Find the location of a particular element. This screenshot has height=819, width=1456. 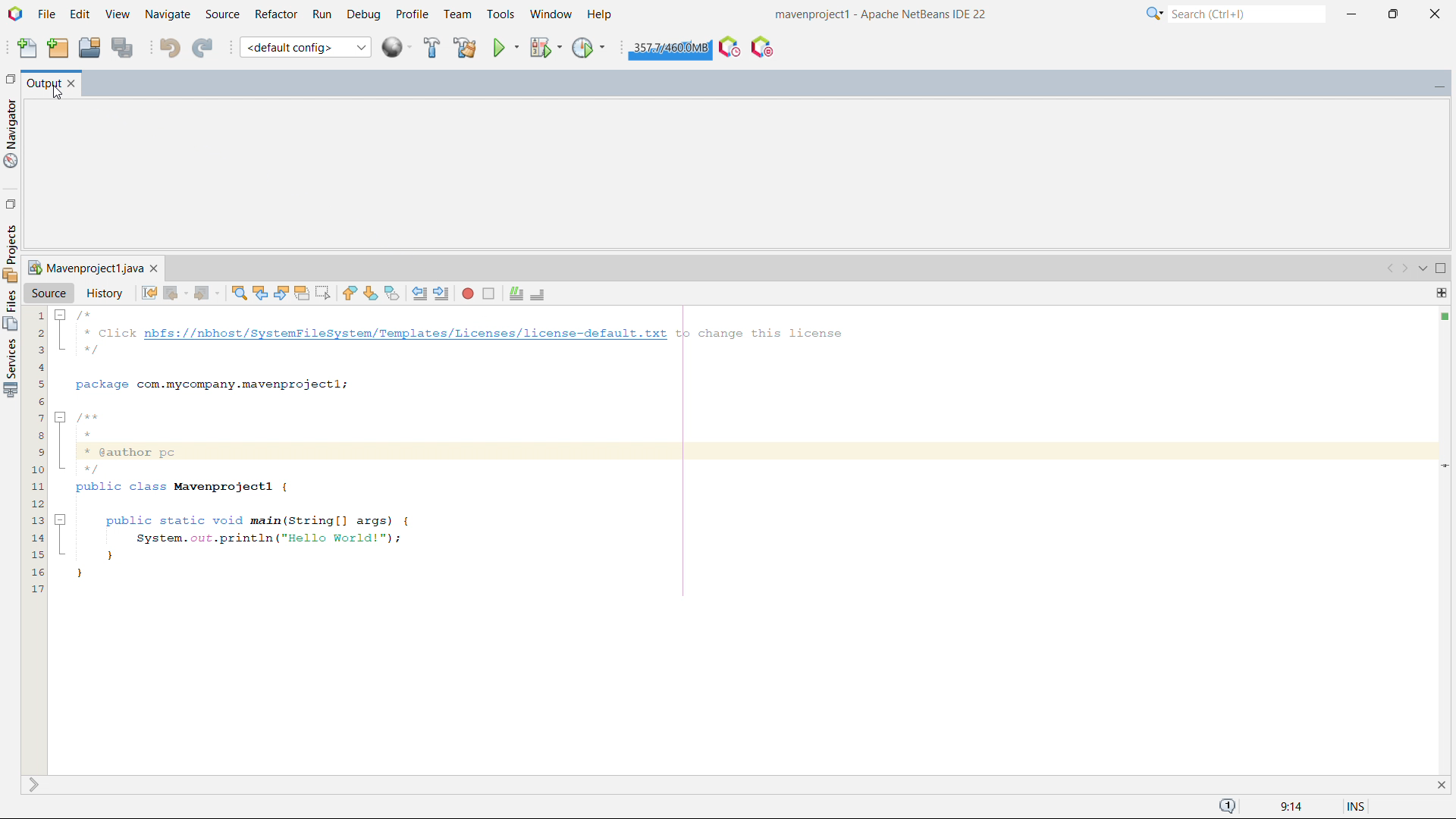

find next occurance is located at coordinates (281, 292).